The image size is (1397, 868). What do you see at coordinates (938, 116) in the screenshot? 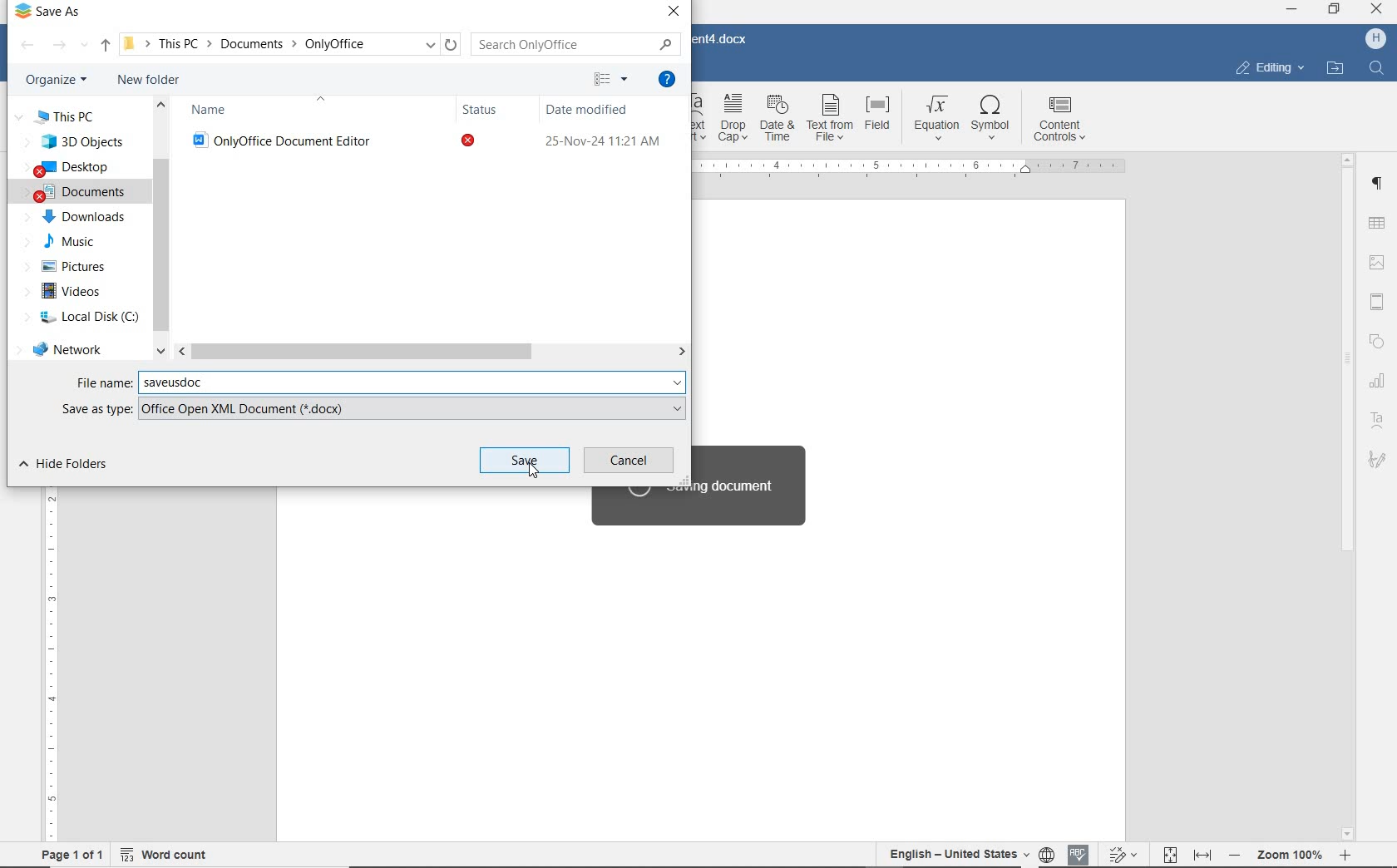
I see `equation` at bounding box center [938, 116].